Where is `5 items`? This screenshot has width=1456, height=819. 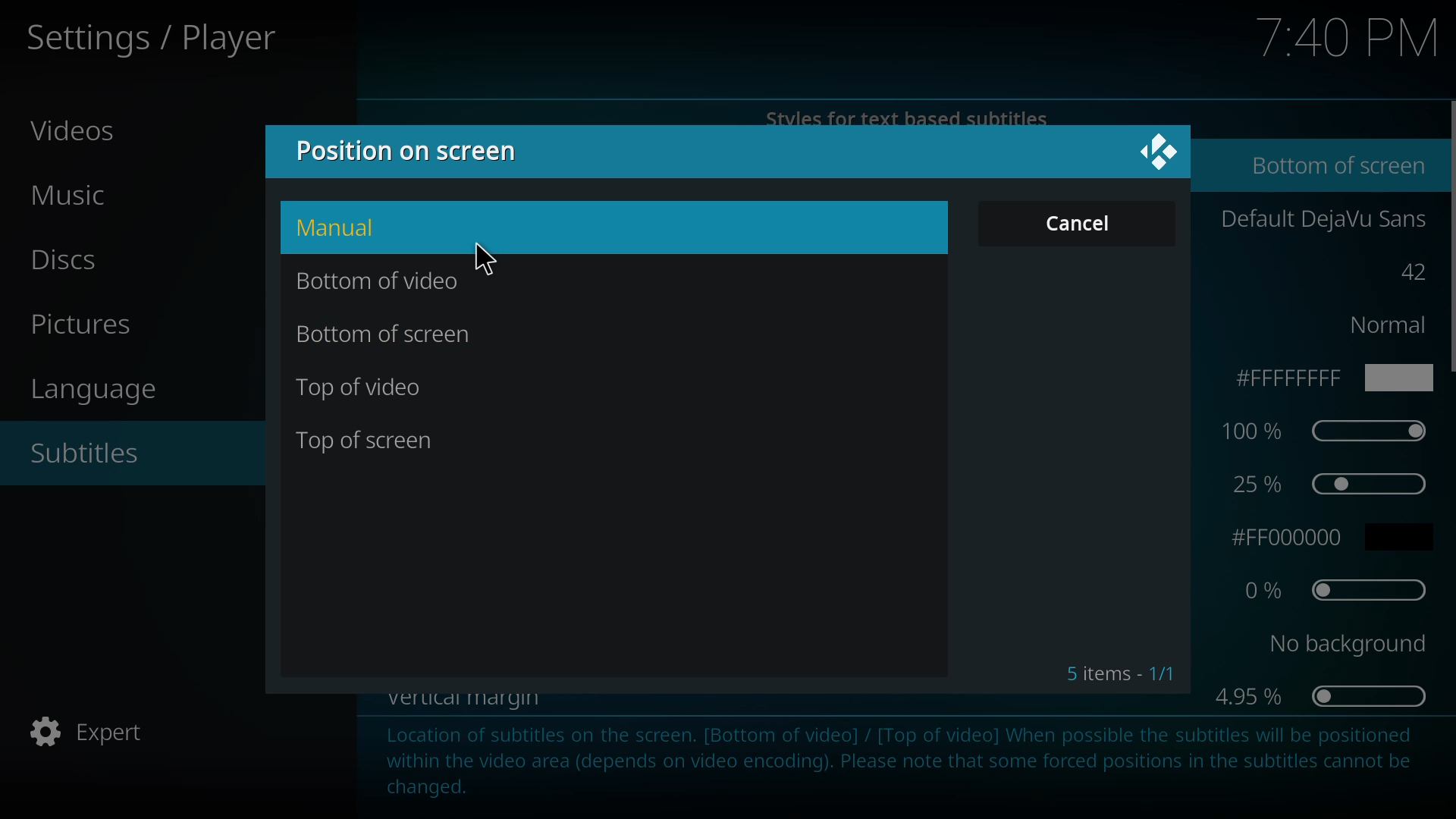
5 items is located at coordinates (1120, 674).